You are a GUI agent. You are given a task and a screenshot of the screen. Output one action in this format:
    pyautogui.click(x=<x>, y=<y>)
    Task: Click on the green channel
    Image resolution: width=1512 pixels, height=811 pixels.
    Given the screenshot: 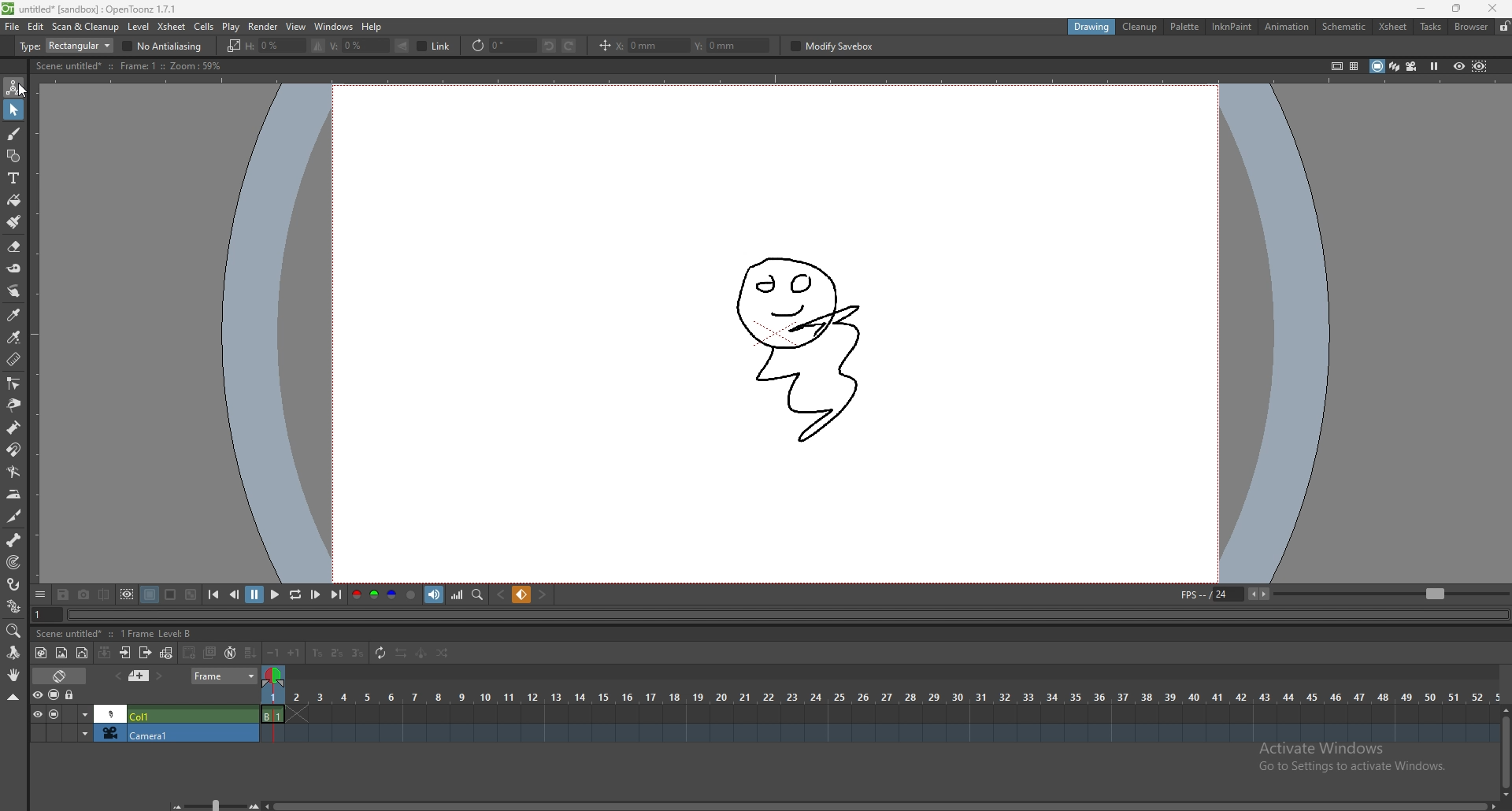 What is the action you would take?
    pyautogui.click(x=372, y=596)
    